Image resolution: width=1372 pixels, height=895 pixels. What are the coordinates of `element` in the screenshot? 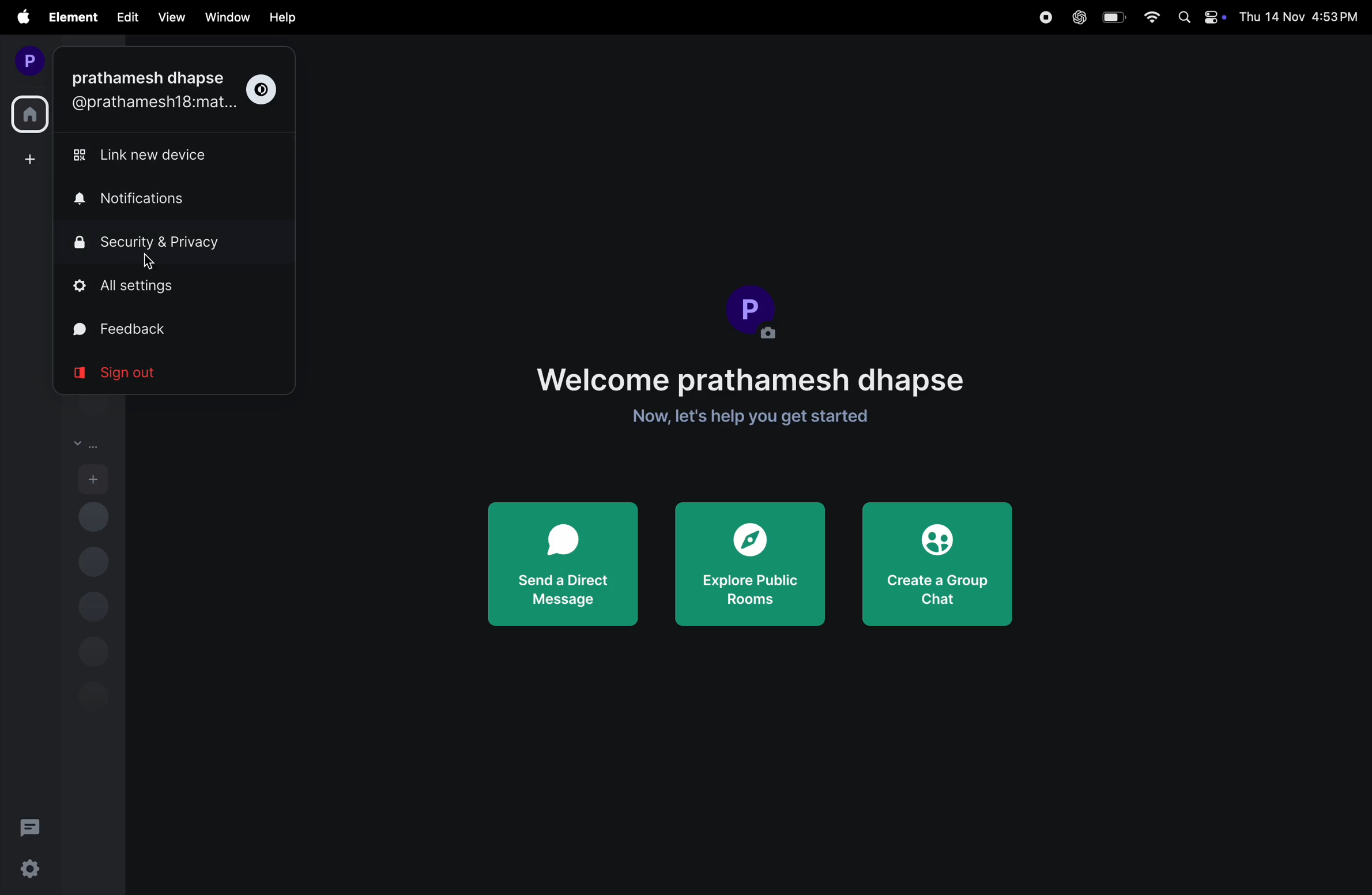 It's located at (71, 17).